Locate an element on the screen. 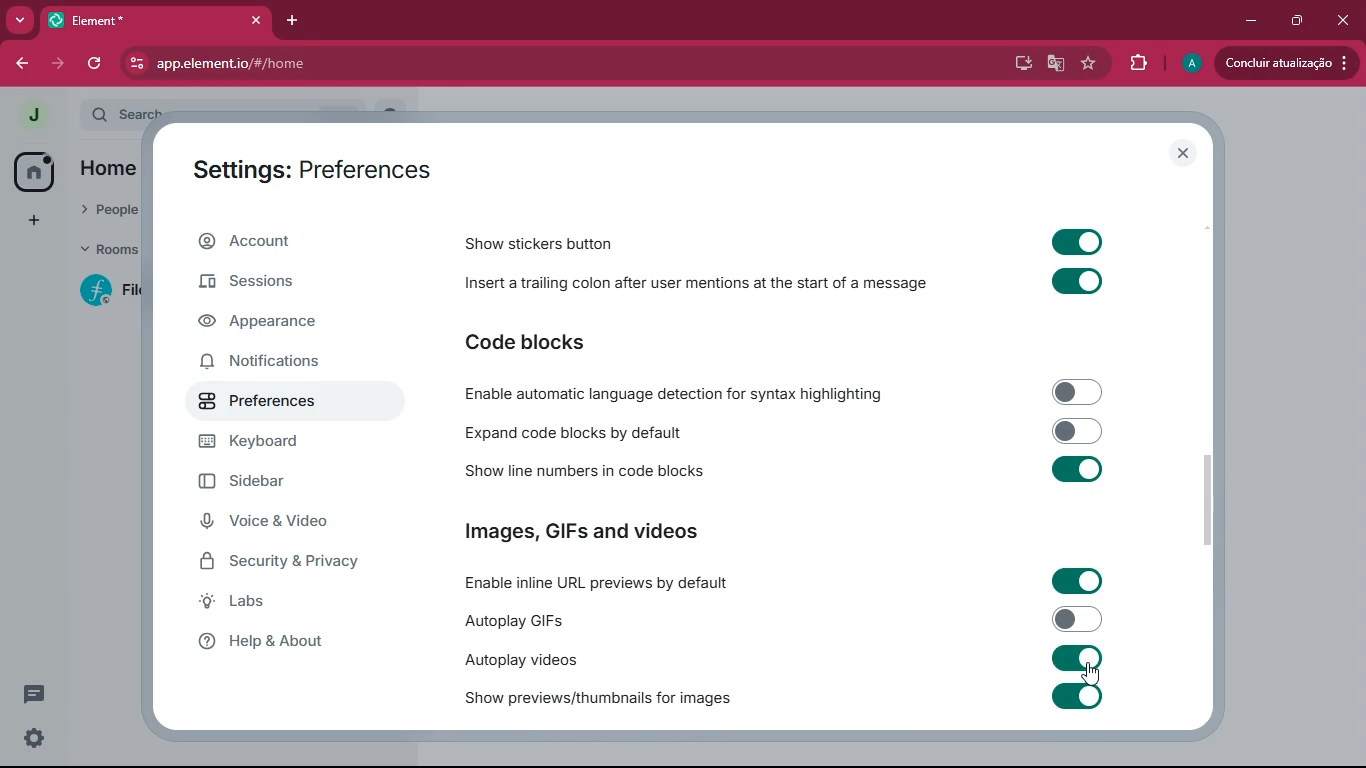 The image size is (1366, 768). automatic is located at coordinates (680, 393).